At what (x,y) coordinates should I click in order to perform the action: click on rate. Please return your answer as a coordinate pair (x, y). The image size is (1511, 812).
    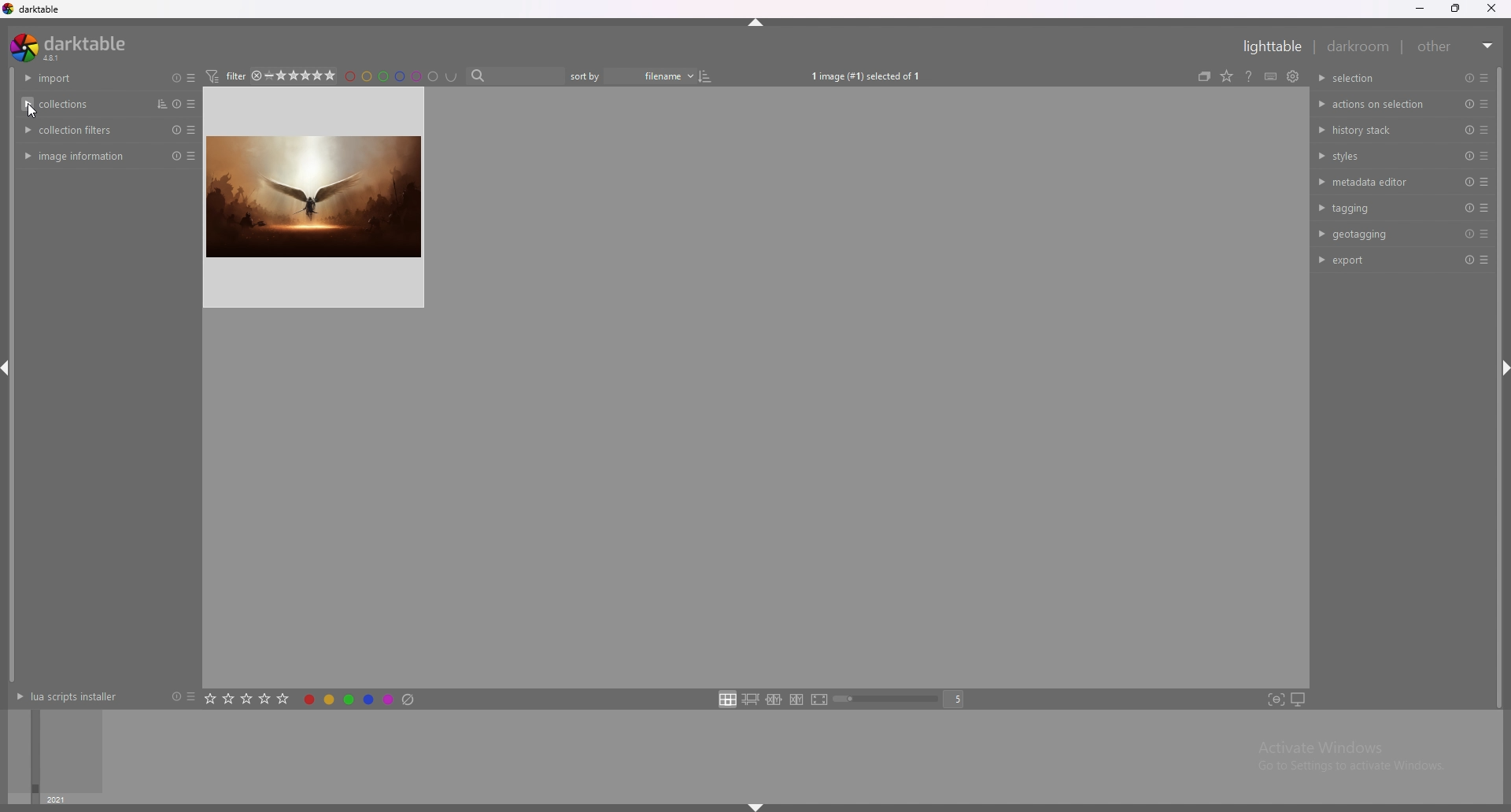
    Looking at the image, I should click on (248, 697).